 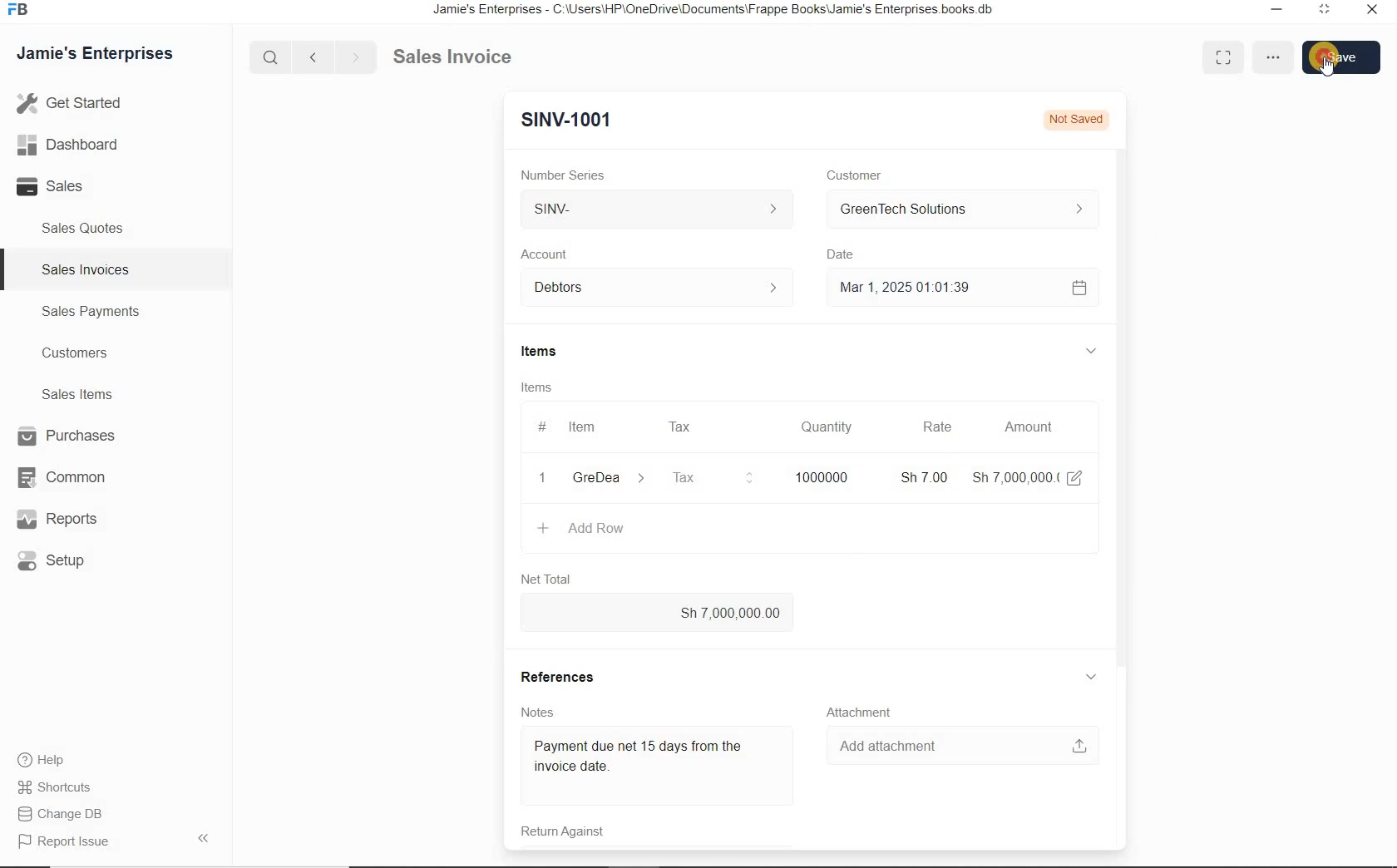 I want to click on Setup, so click(x=63, y=562).